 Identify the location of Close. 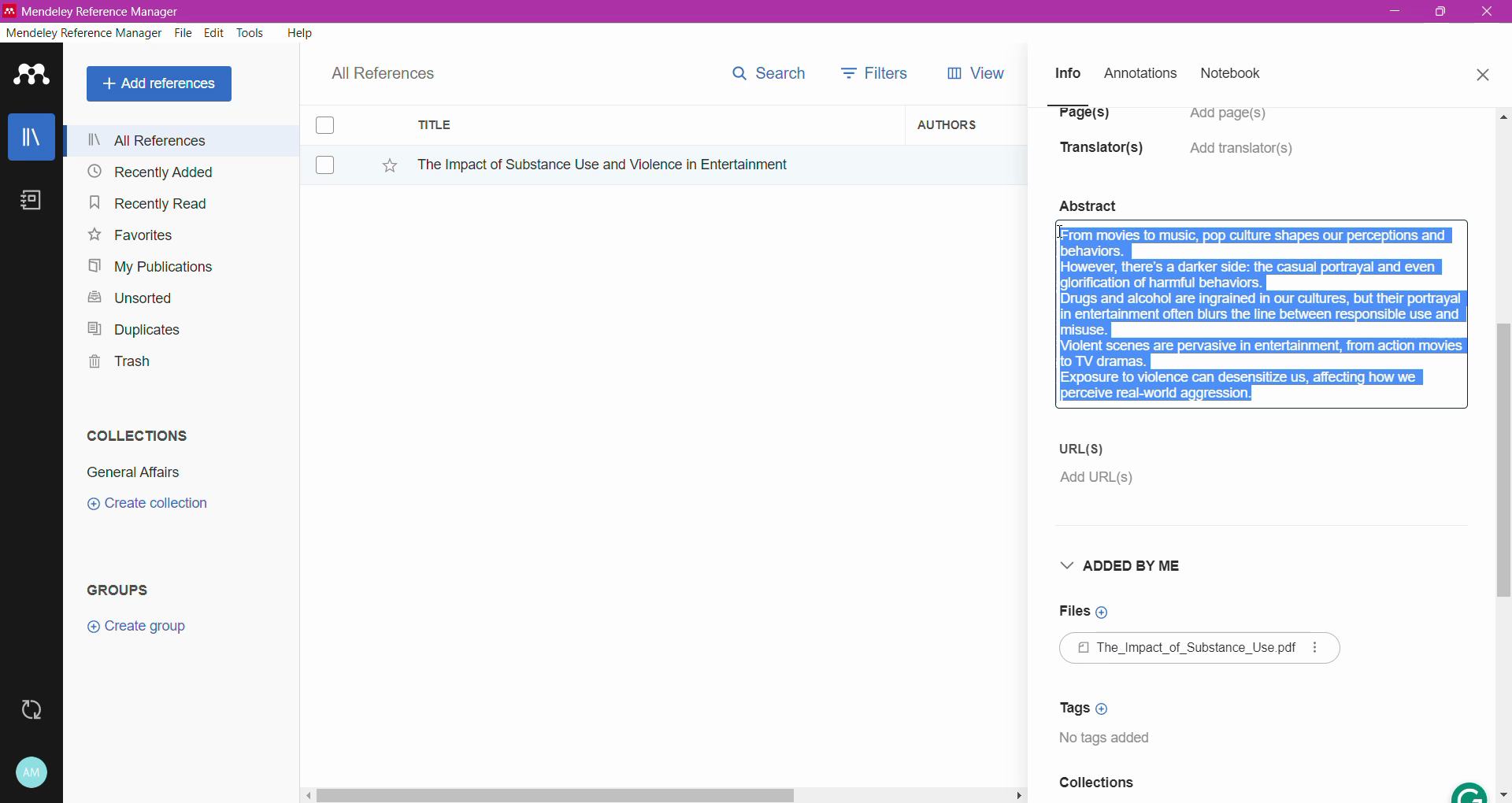
(1488, 13).